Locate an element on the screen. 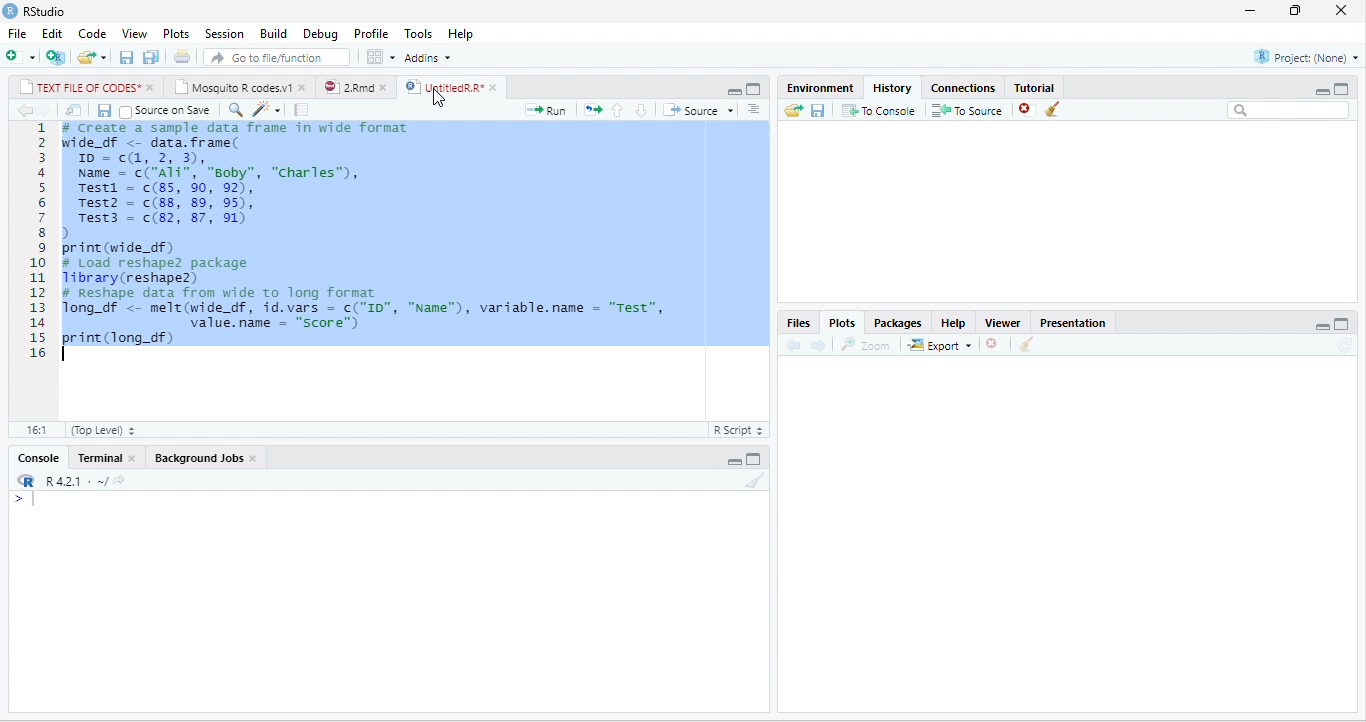 The image size is (1366, 722). up is located at coordinates (618, 110).